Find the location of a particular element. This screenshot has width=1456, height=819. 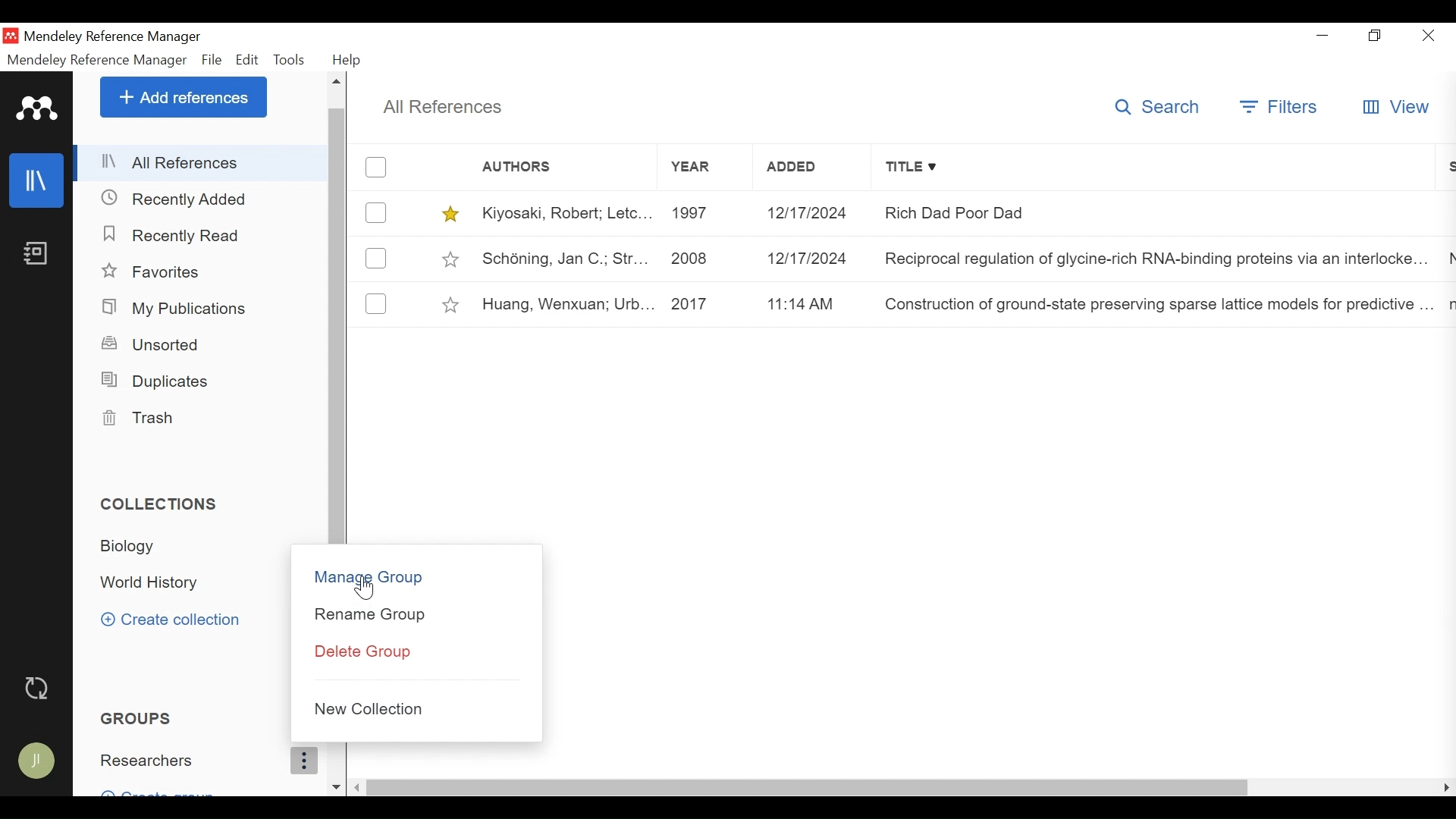

Rich Dad Poor Dad is located at coordinates (1158, 212).